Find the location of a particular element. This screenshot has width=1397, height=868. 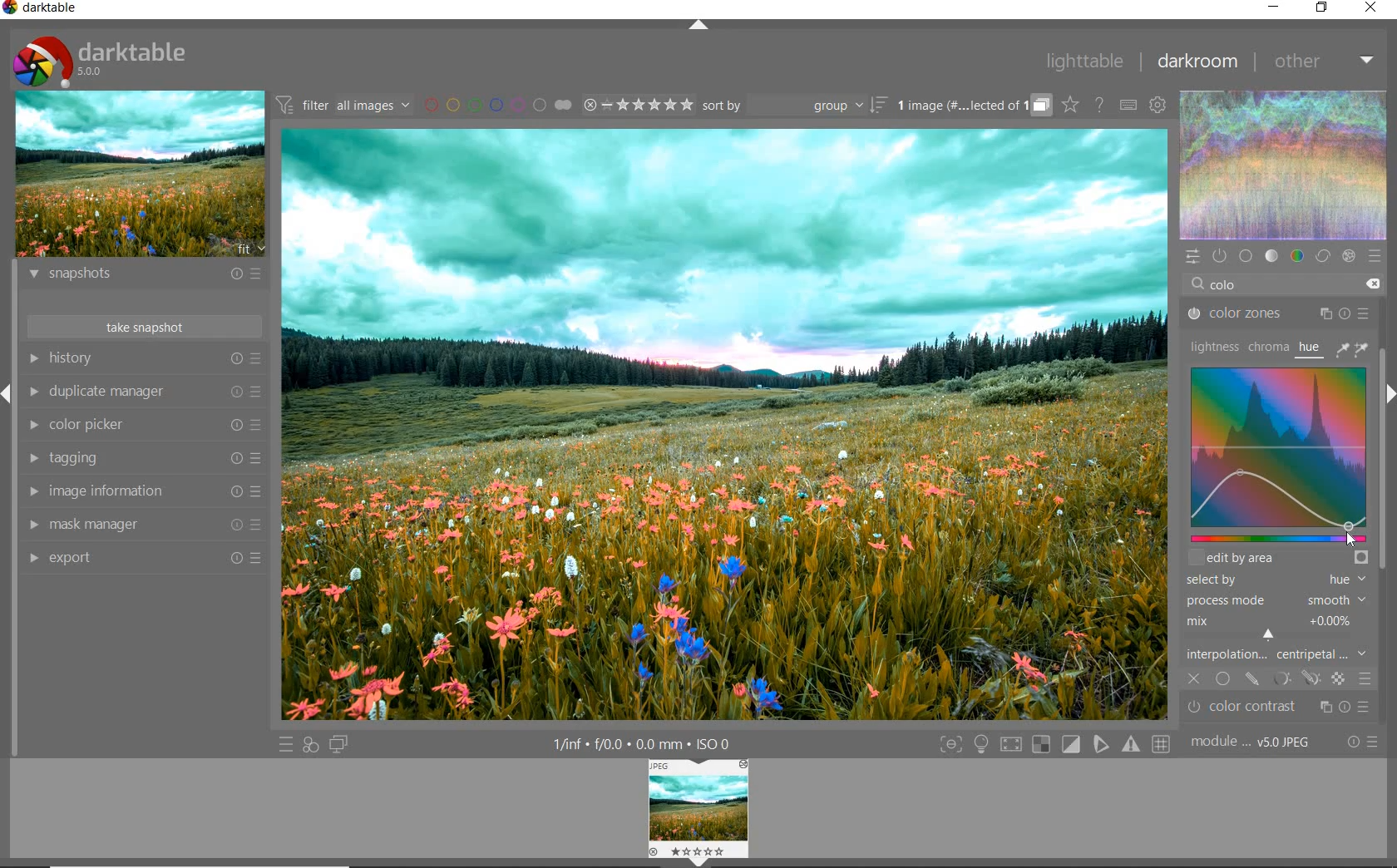

show global preferences is located at coordinates (1156, 105).